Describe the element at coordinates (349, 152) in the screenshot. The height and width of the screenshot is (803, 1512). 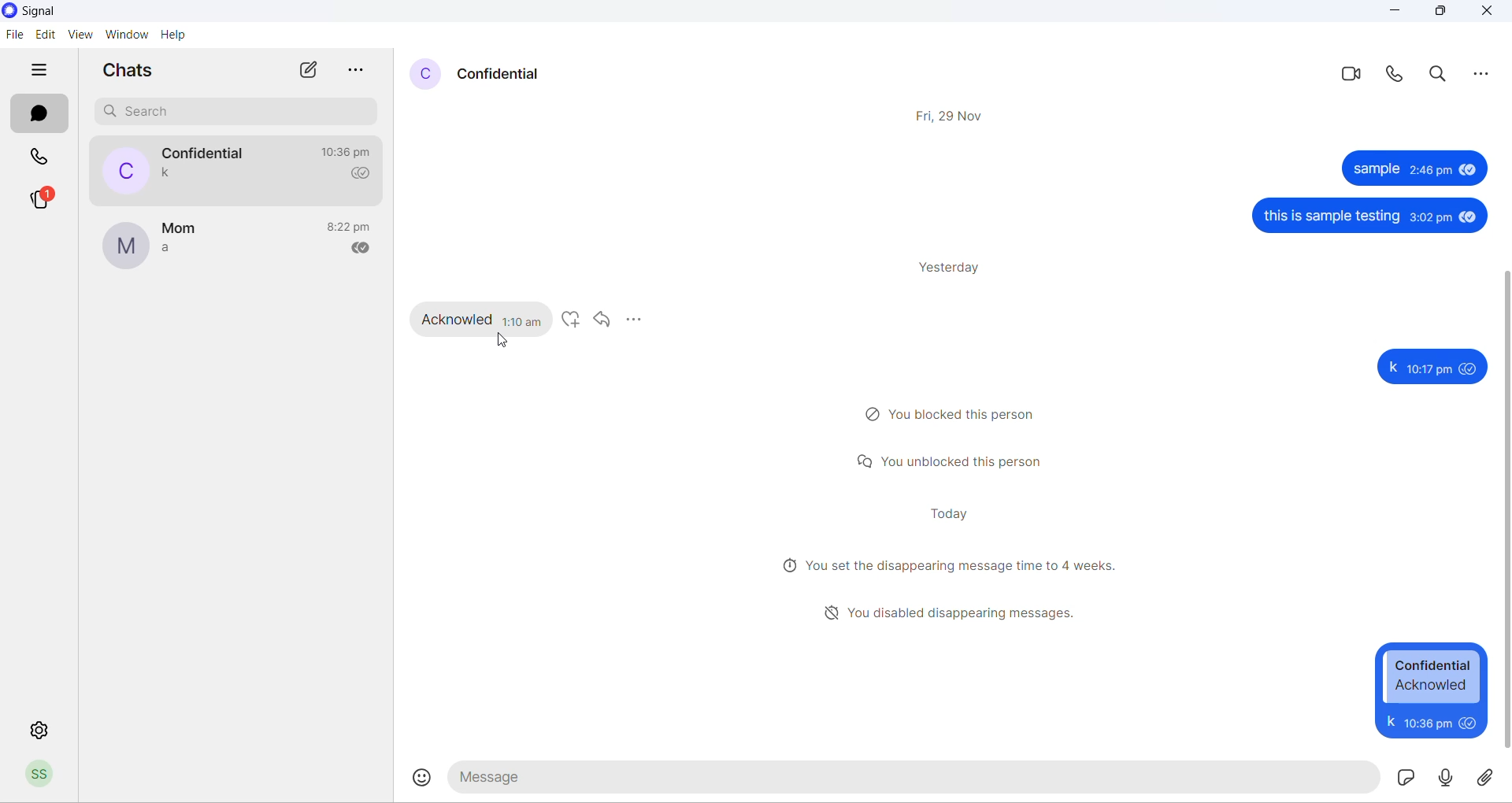
I see `last message time` at that location.